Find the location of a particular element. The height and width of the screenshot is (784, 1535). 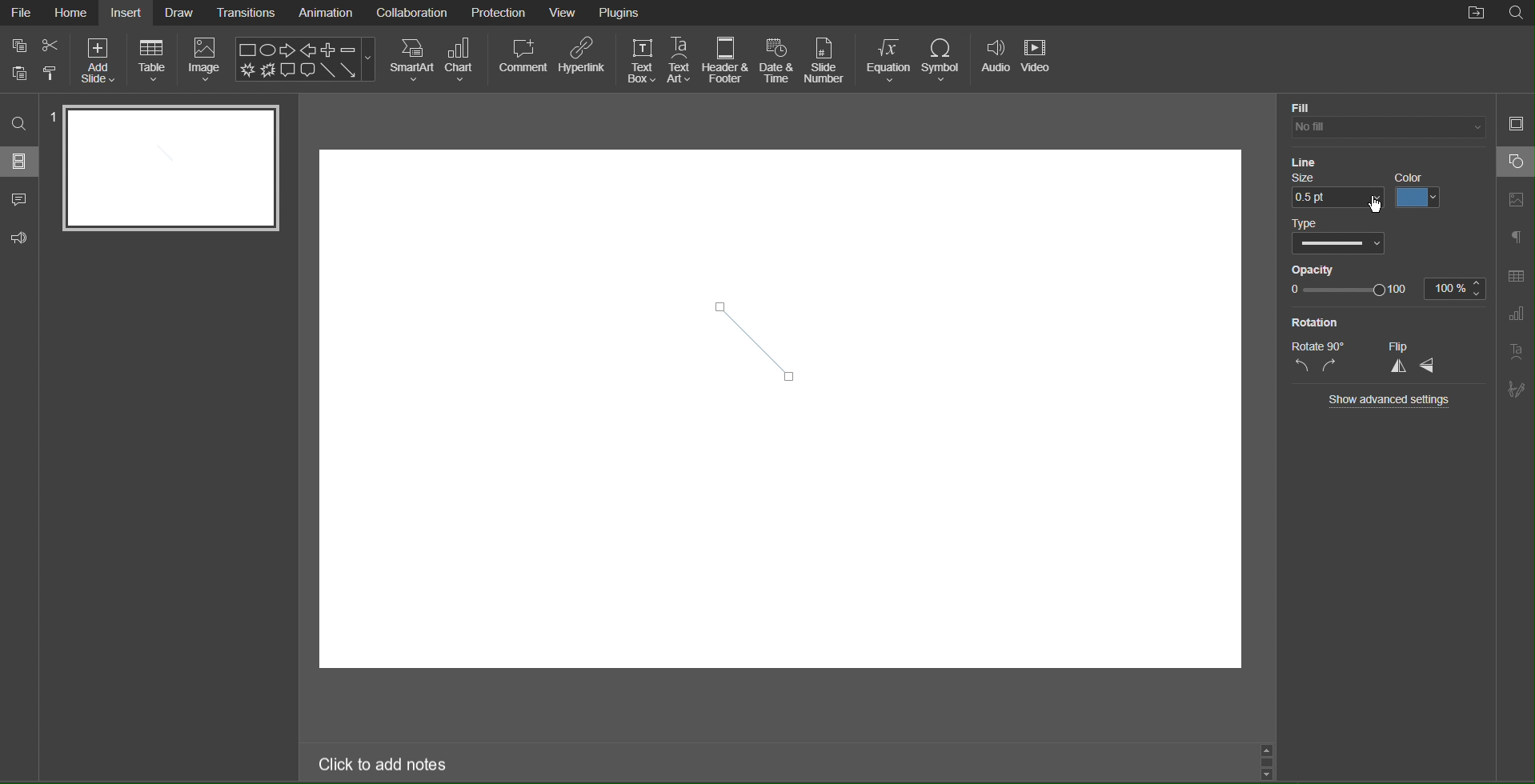

Signature is located at coordinates (1517, 390).